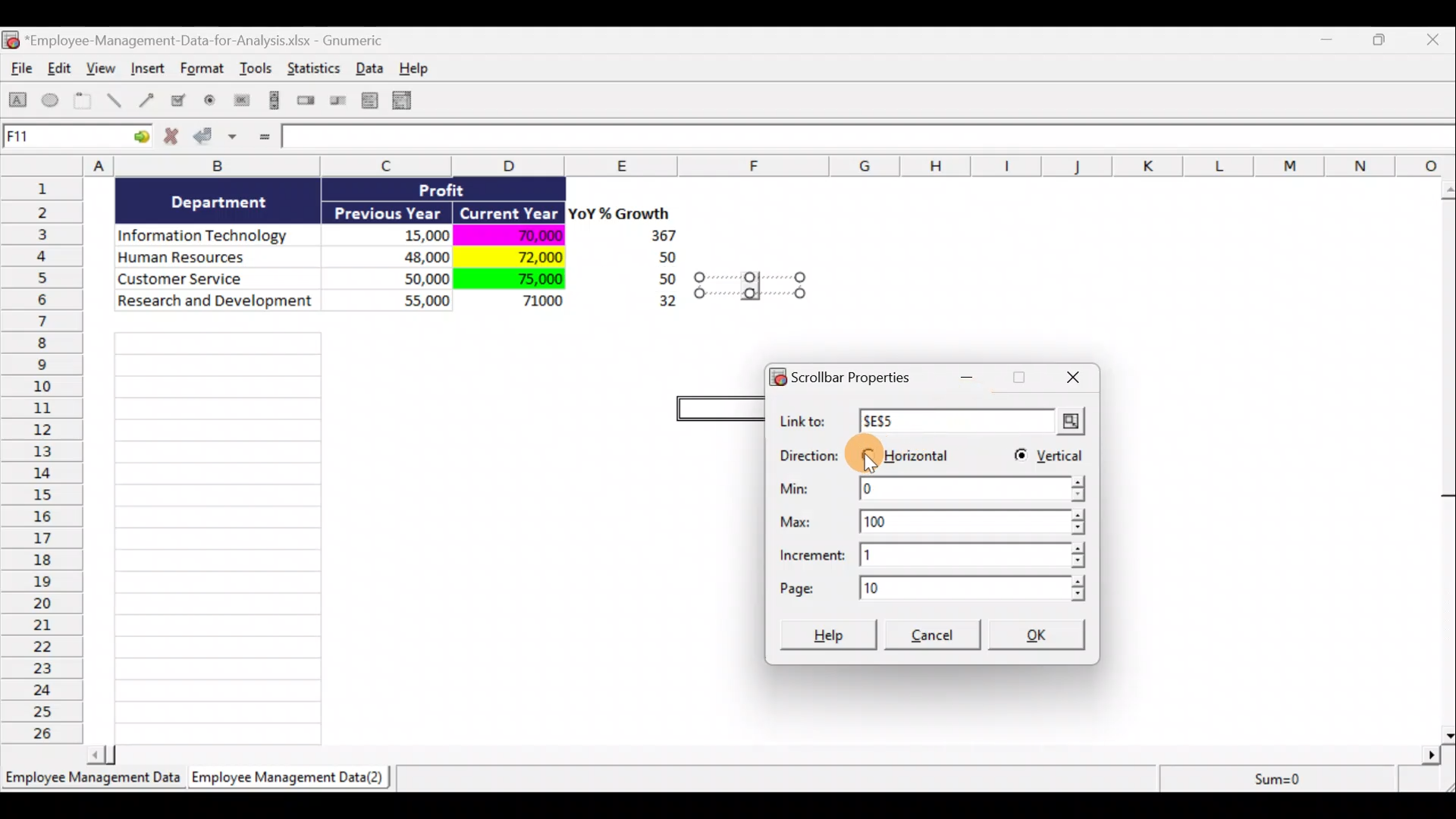  Describe the element at coordinates (61, 70) in the screenshot. I see `Edit` at that location.